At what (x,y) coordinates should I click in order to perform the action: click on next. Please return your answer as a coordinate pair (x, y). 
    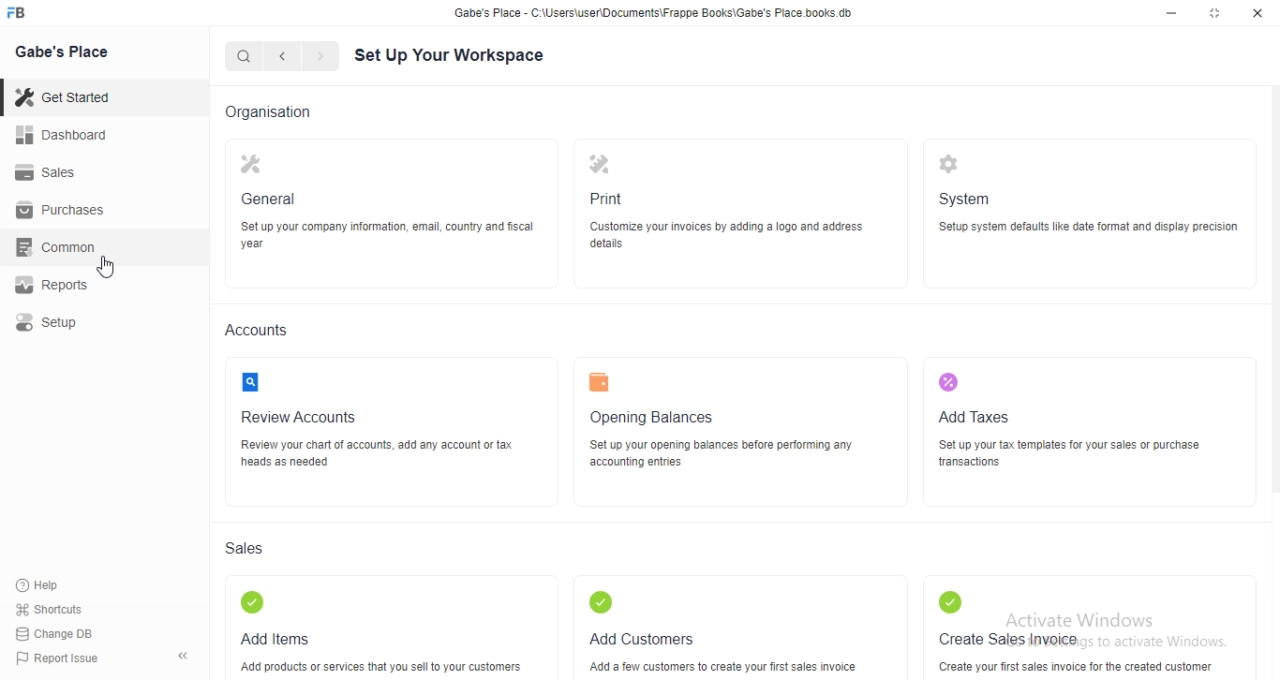
    Looking at the image, I should click on (318, 57).